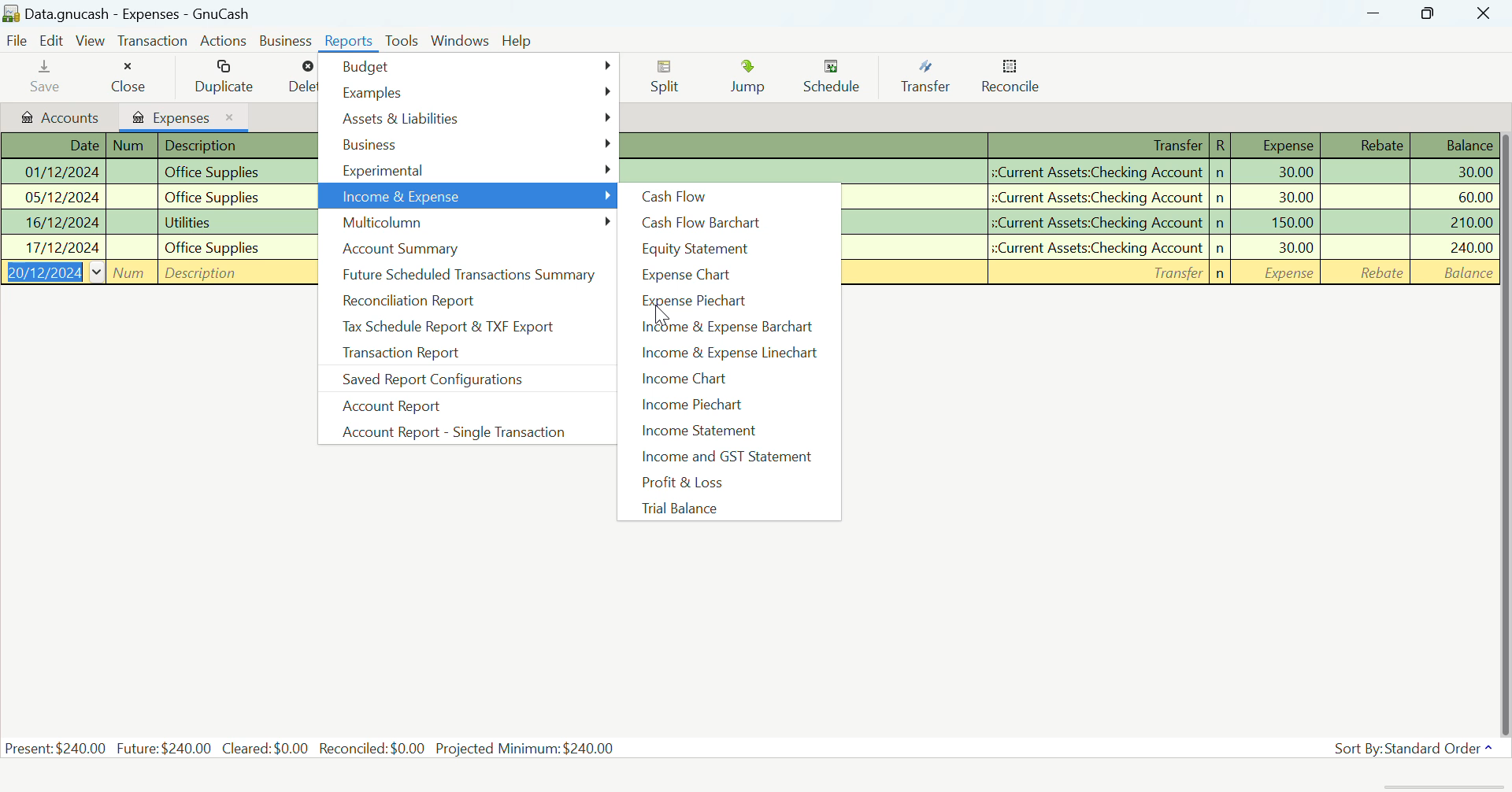 Image resolution: width=1512 pixels, height=792 pixels. What do you see at coordinates (372, 748) in the screenshot?
I see `Reconciled` at bounding box center [372, 748].